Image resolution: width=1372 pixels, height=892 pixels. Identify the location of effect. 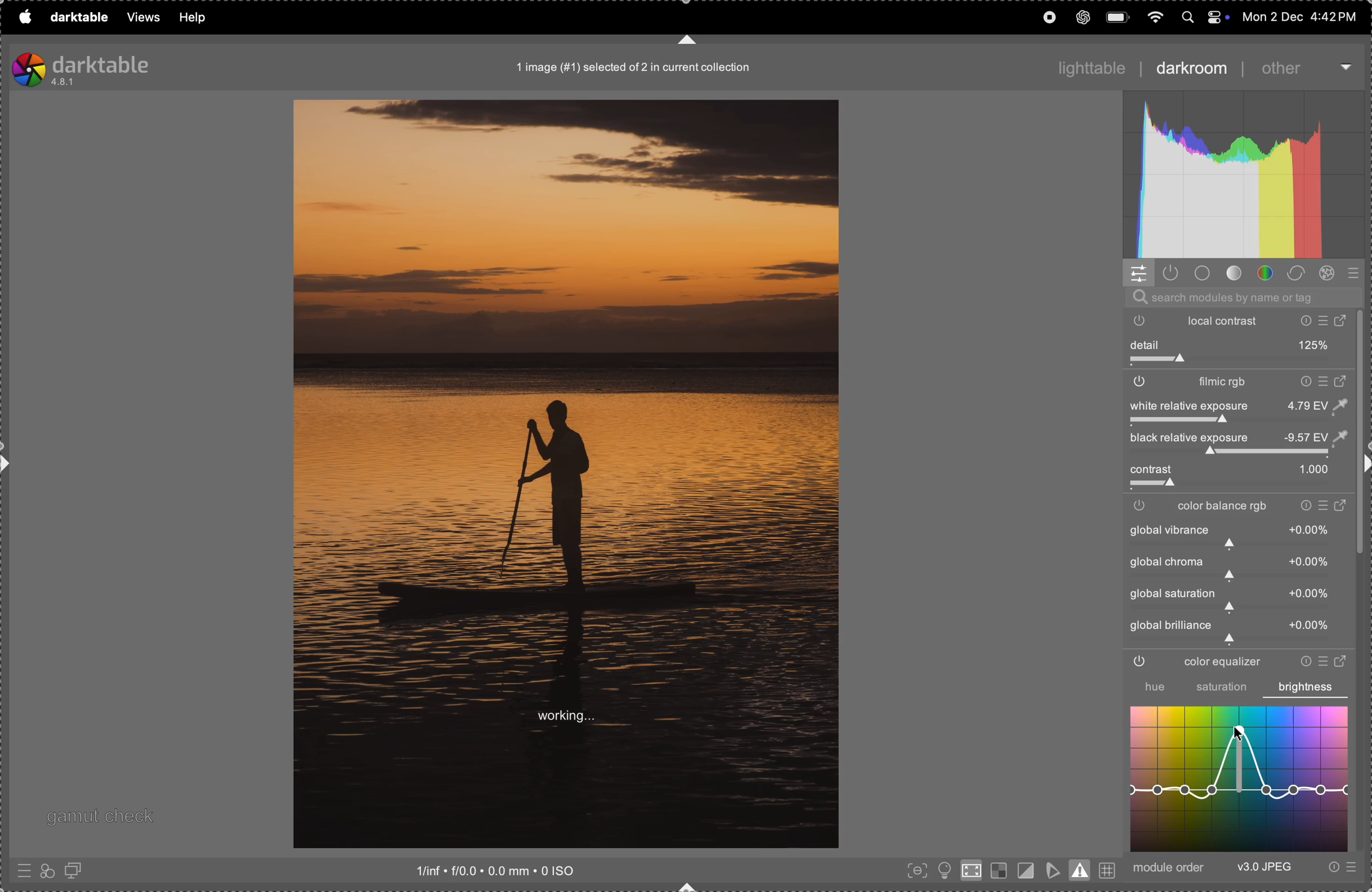
(1330, 274).